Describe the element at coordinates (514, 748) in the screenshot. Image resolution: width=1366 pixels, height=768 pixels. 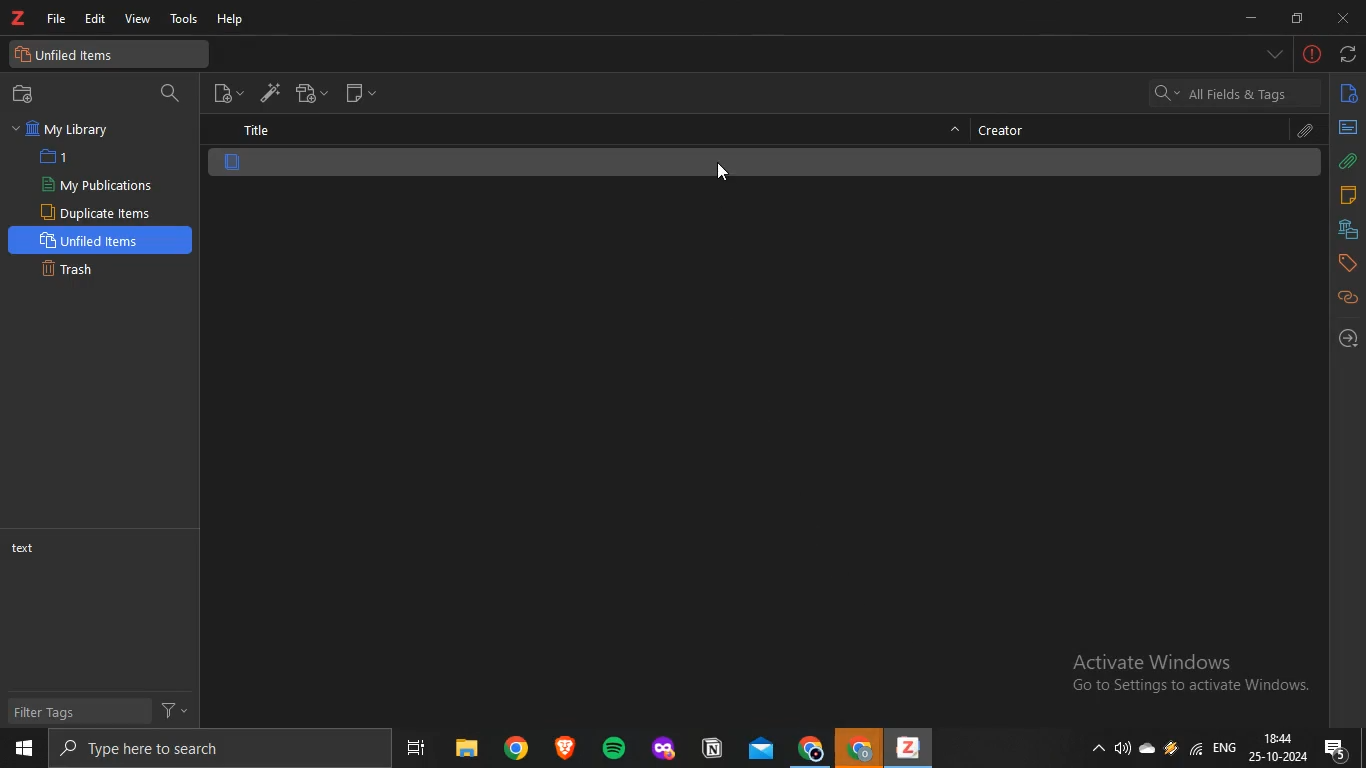
I see `chrome` at that location.